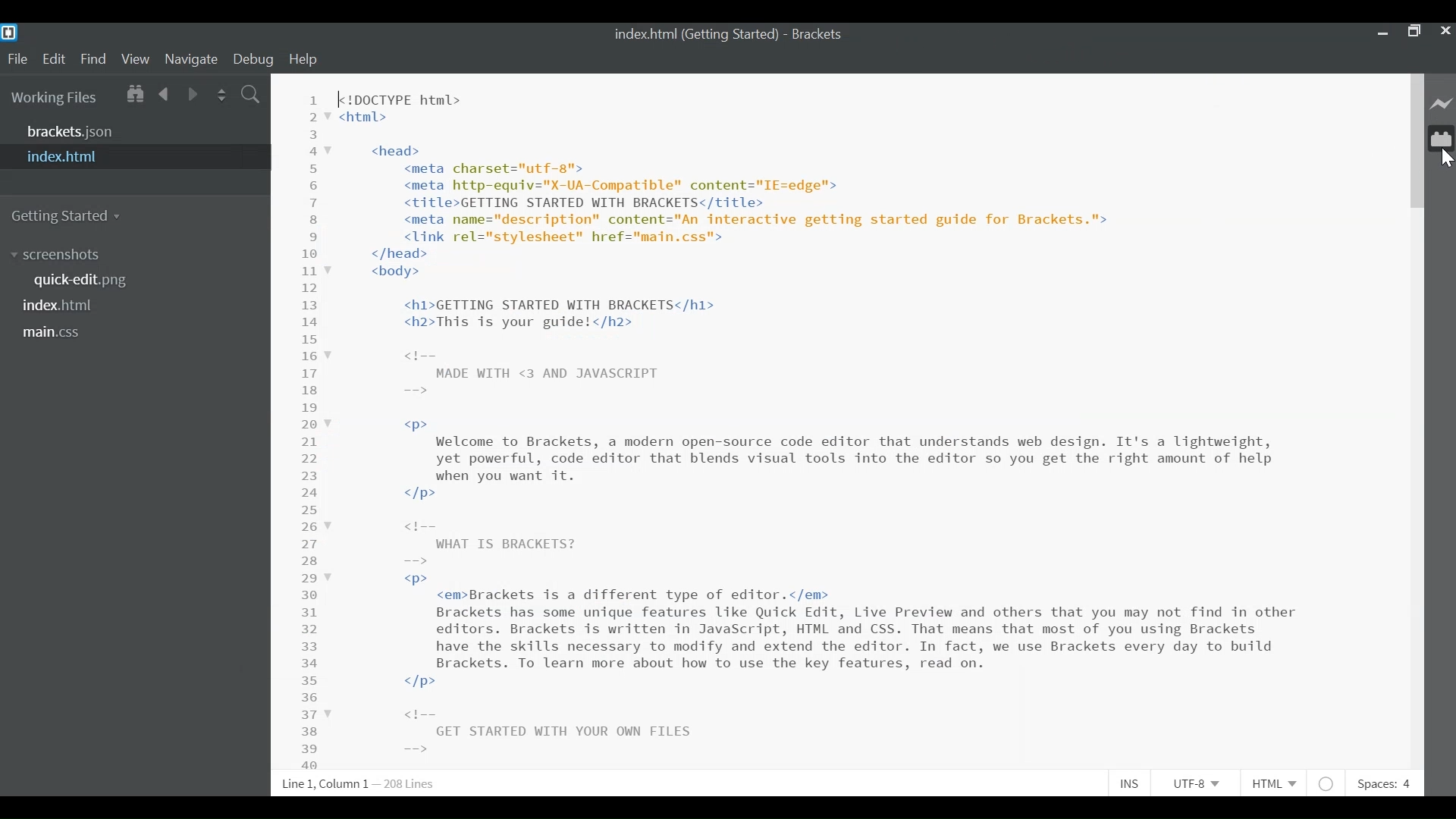 The height and width of the screenshot is (819, 1456). I want to click on Cursor, so click(1443, 164).